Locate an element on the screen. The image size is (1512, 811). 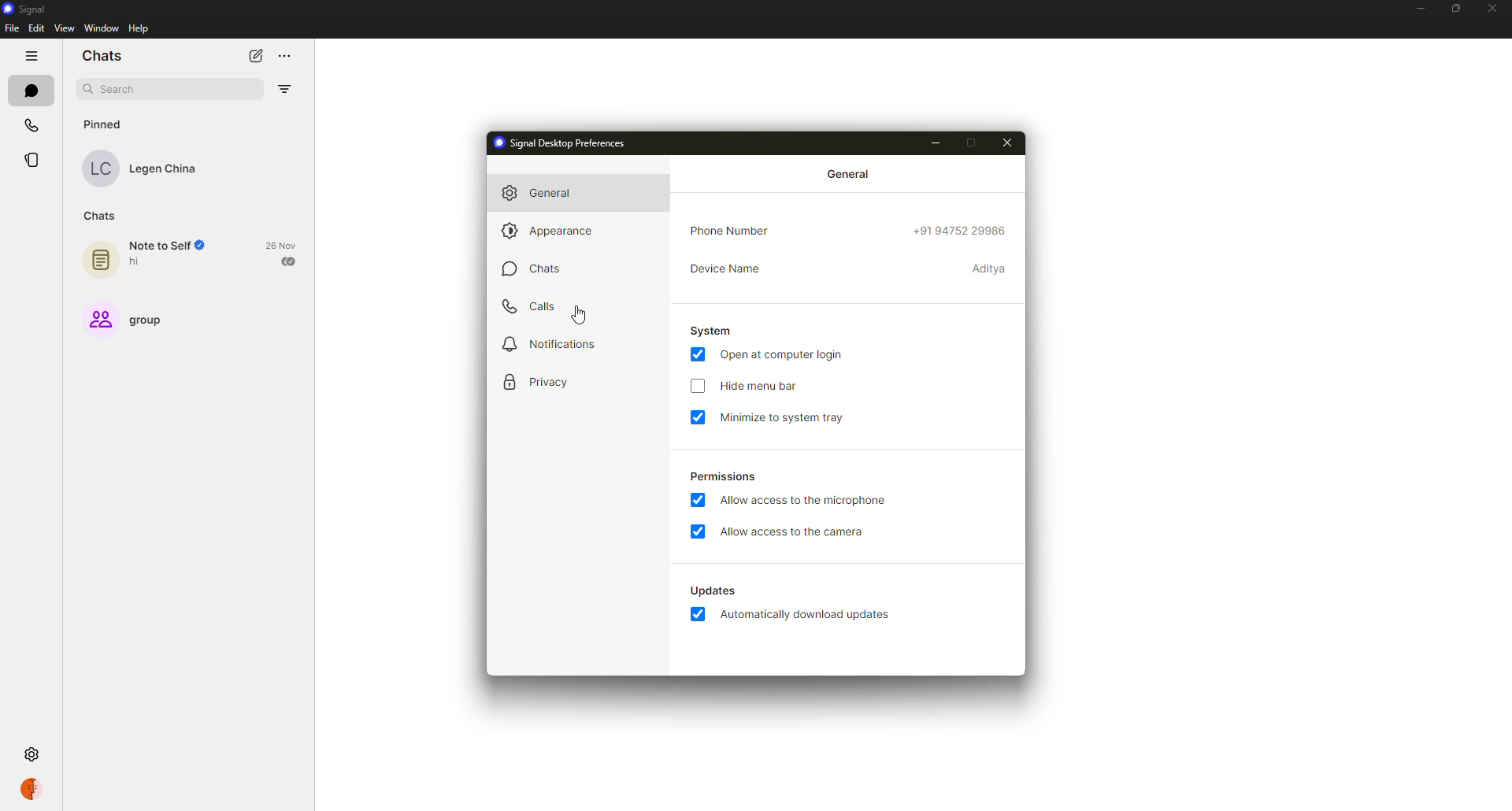
allow access to microphone is located at coordinates (809, 498).